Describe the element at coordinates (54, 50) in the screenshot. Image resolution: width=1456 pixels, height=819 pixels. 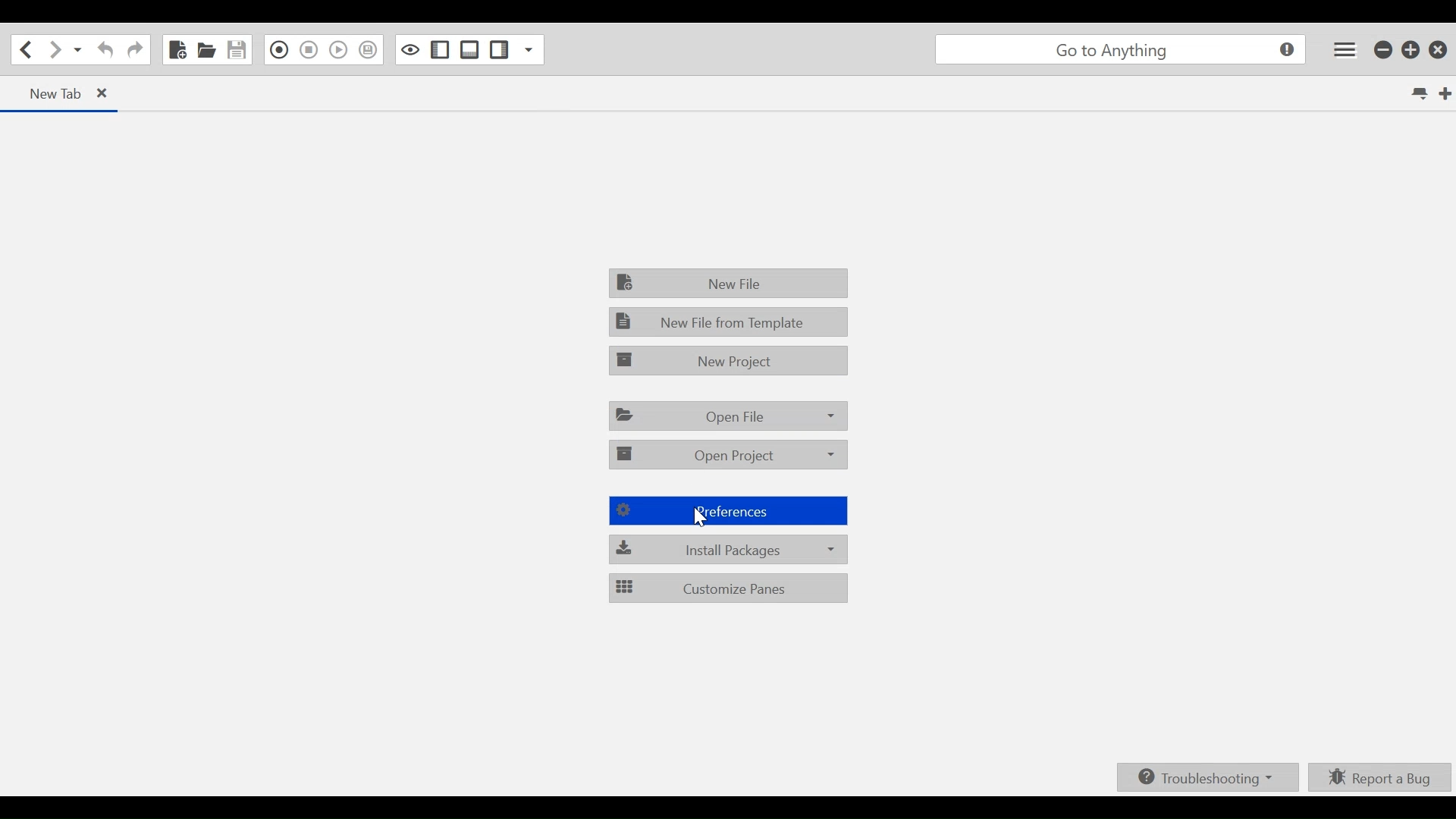
I see `Go forward one location` at that location.